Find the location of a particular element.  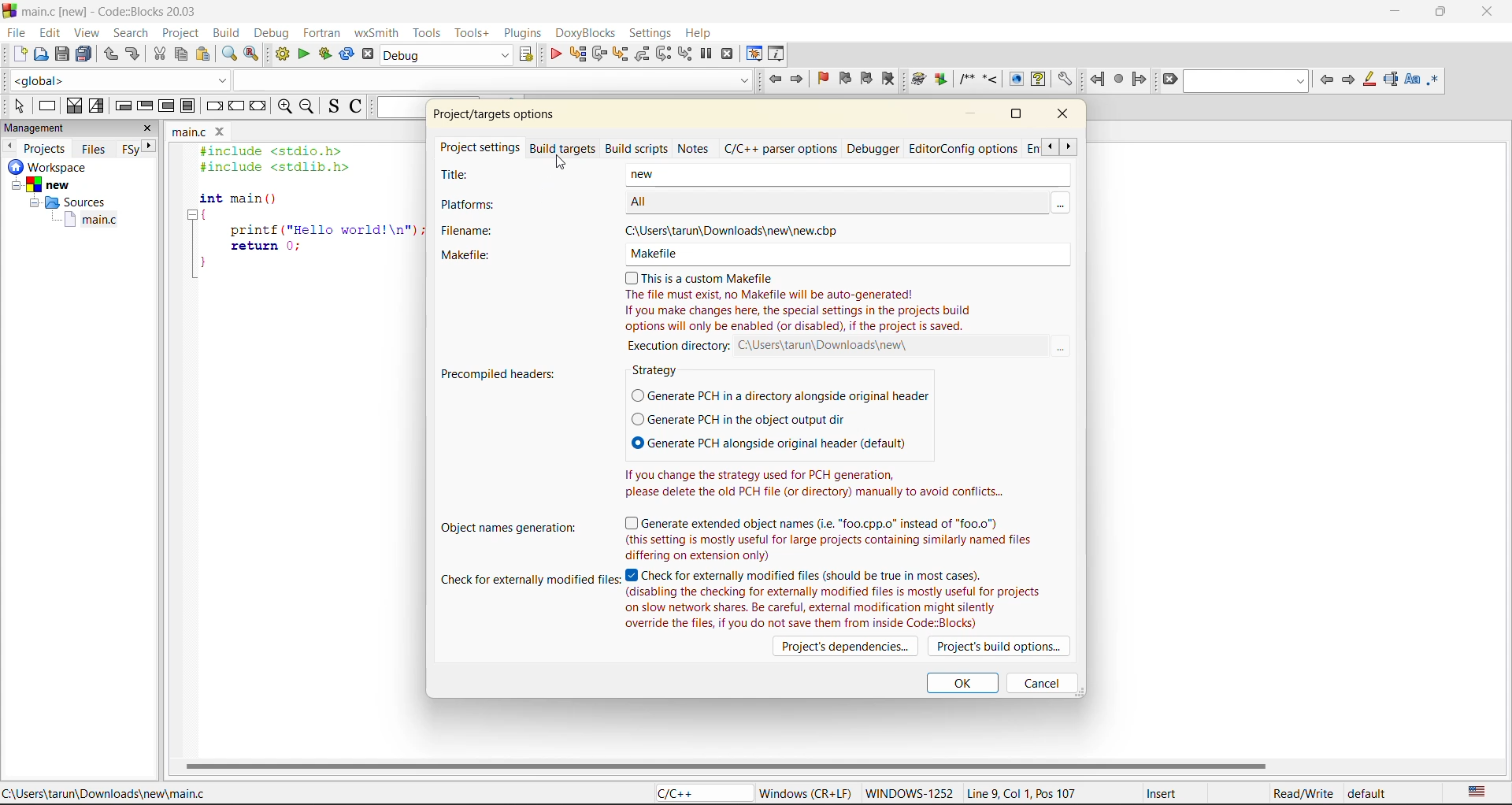

text language is located at coordinates (1477, 789).